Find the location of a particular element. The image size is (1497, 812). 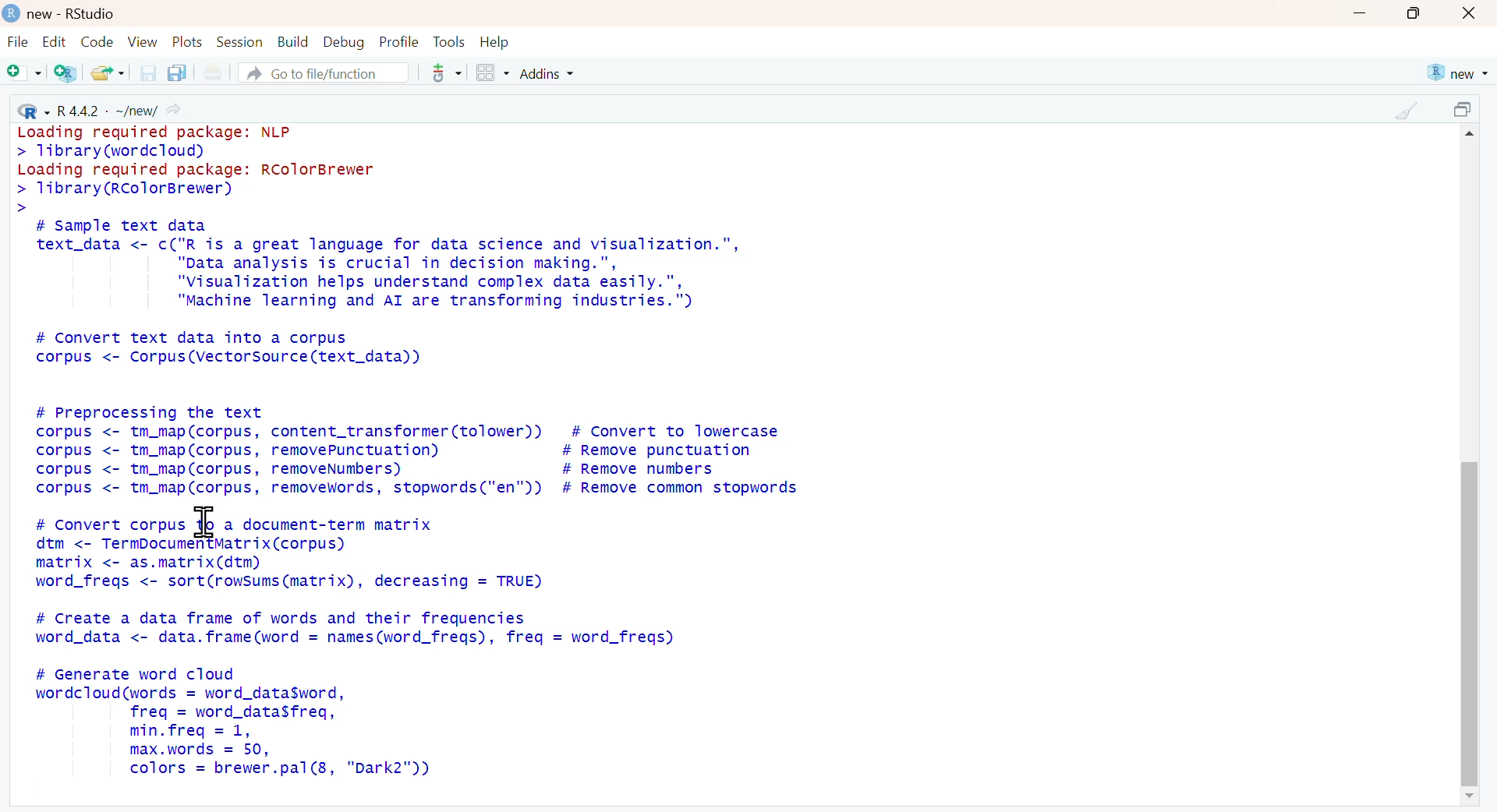

Debug is located at coordinates (345, 44).